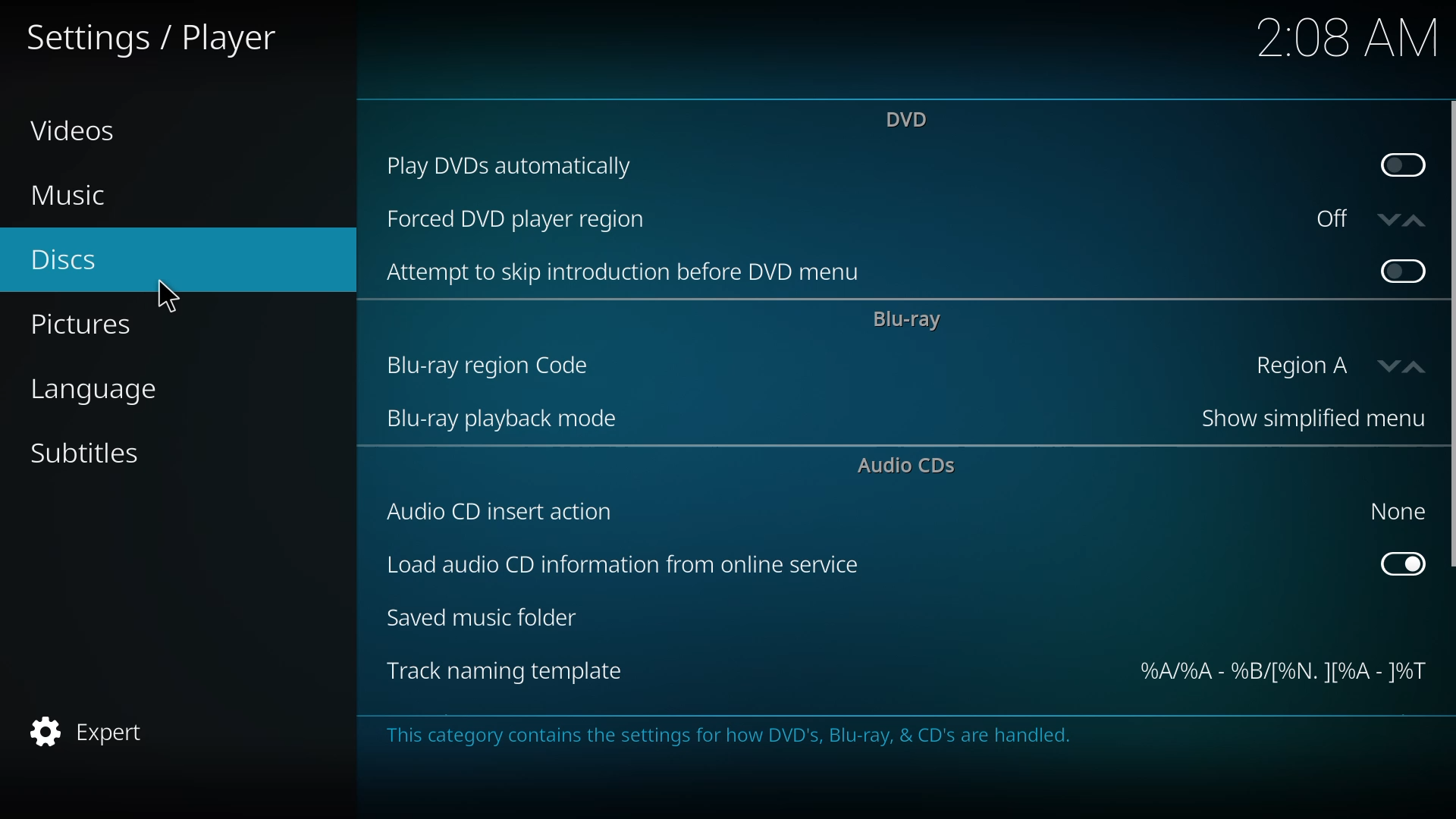 The width and height of the screenshot is (1456, 819). I want to click on forced dvd player region, so click(519, 221).